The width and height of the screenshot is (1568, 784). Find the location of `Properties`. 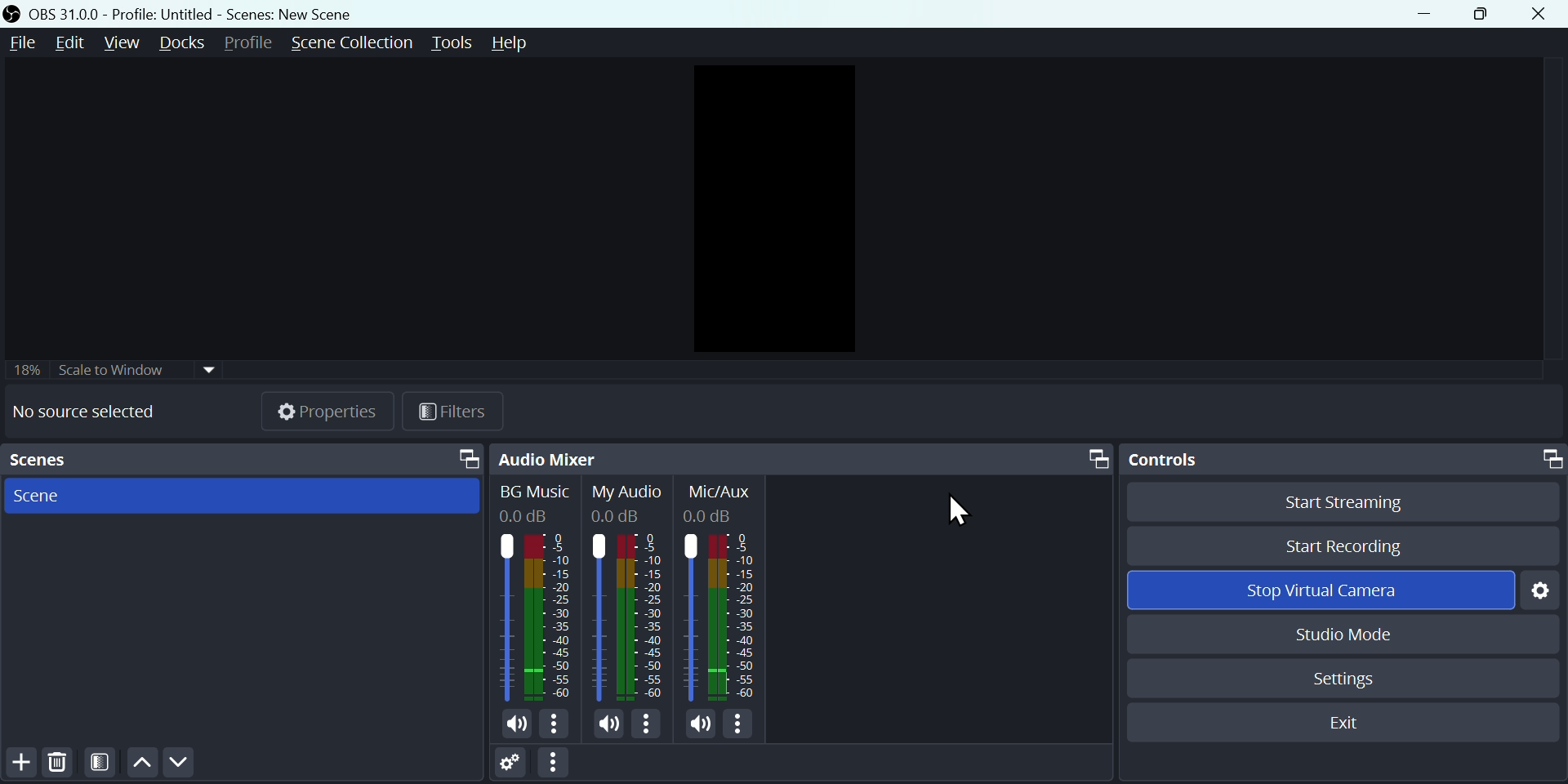

Properties is located at coordinates (328, 409).